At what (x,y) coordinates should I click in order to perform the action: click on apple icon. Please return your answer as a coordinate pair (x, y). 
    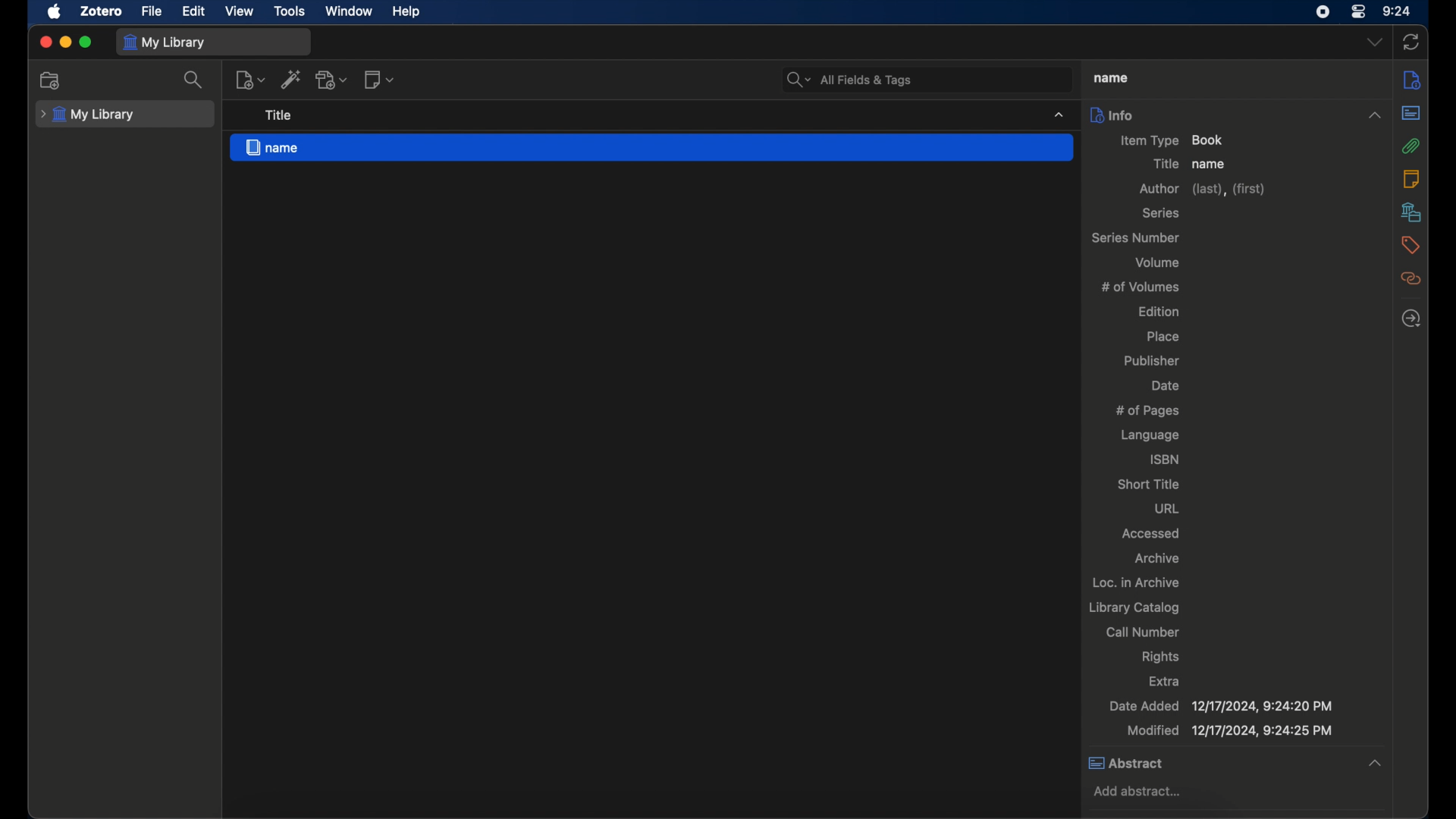
    Looking at the image, I should click on (55, 12).